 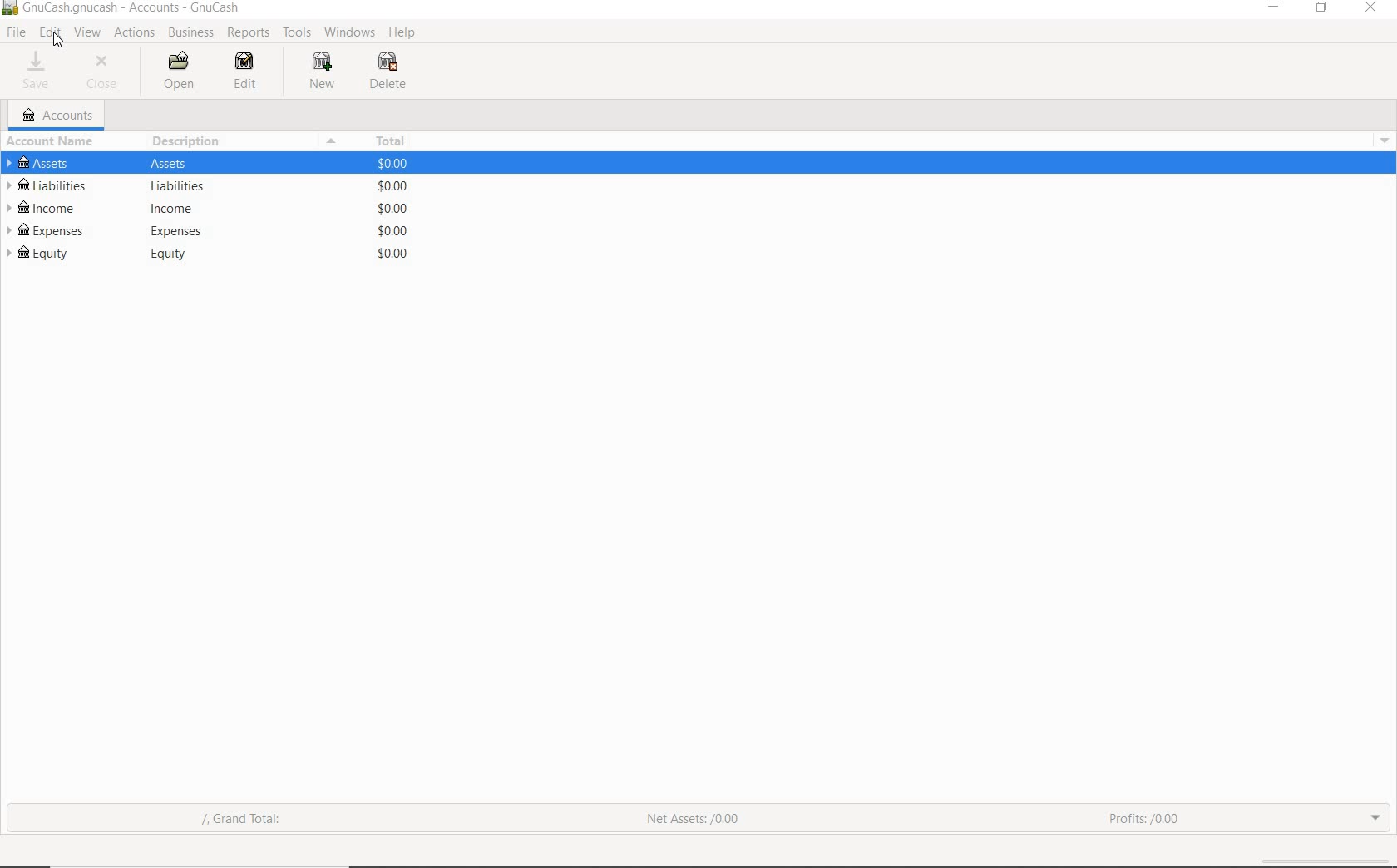 I want to click on ACTIONS, so click(x=134, y=33).